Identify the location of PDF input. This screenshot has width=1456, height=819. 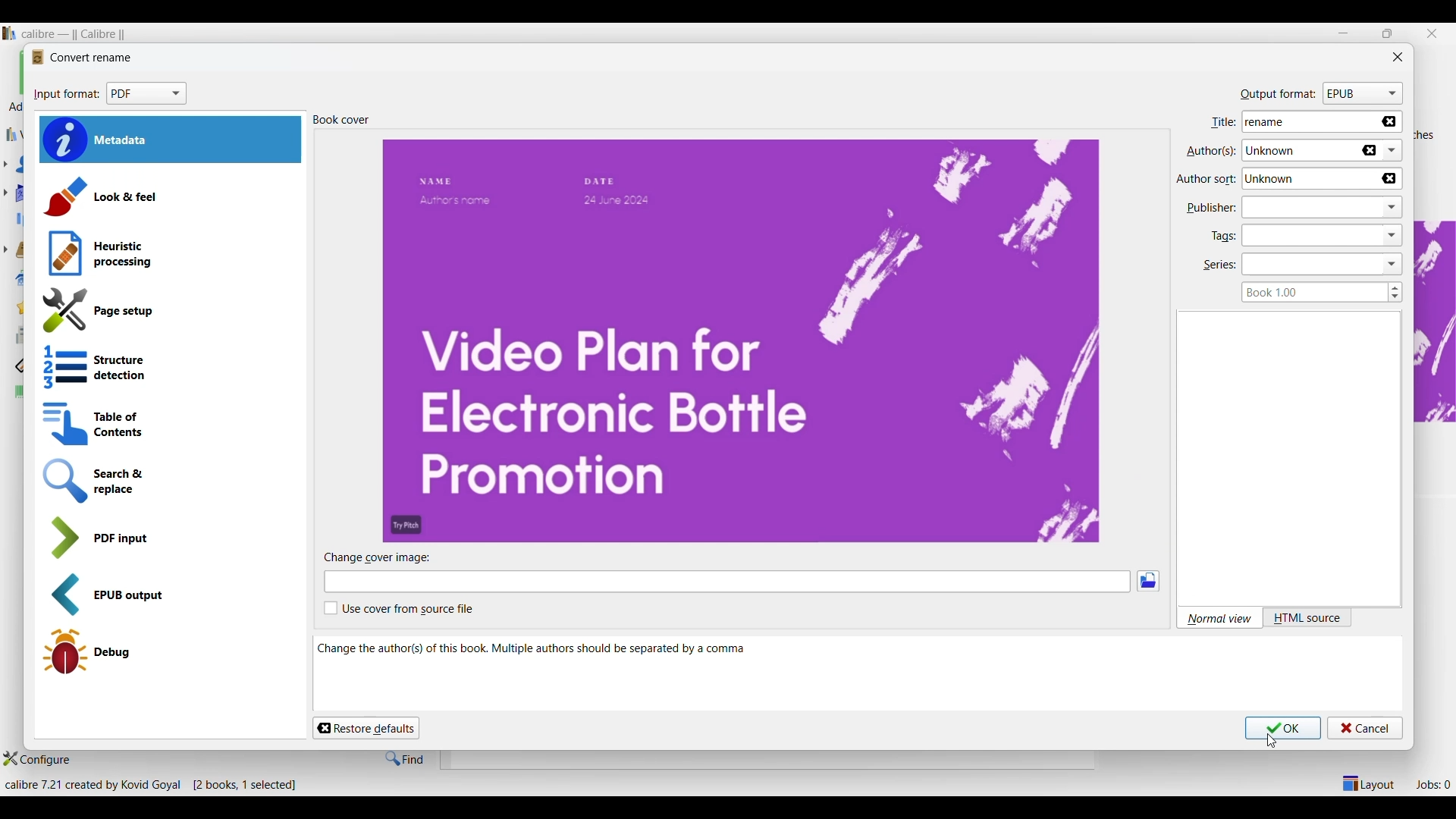
(165, 538).